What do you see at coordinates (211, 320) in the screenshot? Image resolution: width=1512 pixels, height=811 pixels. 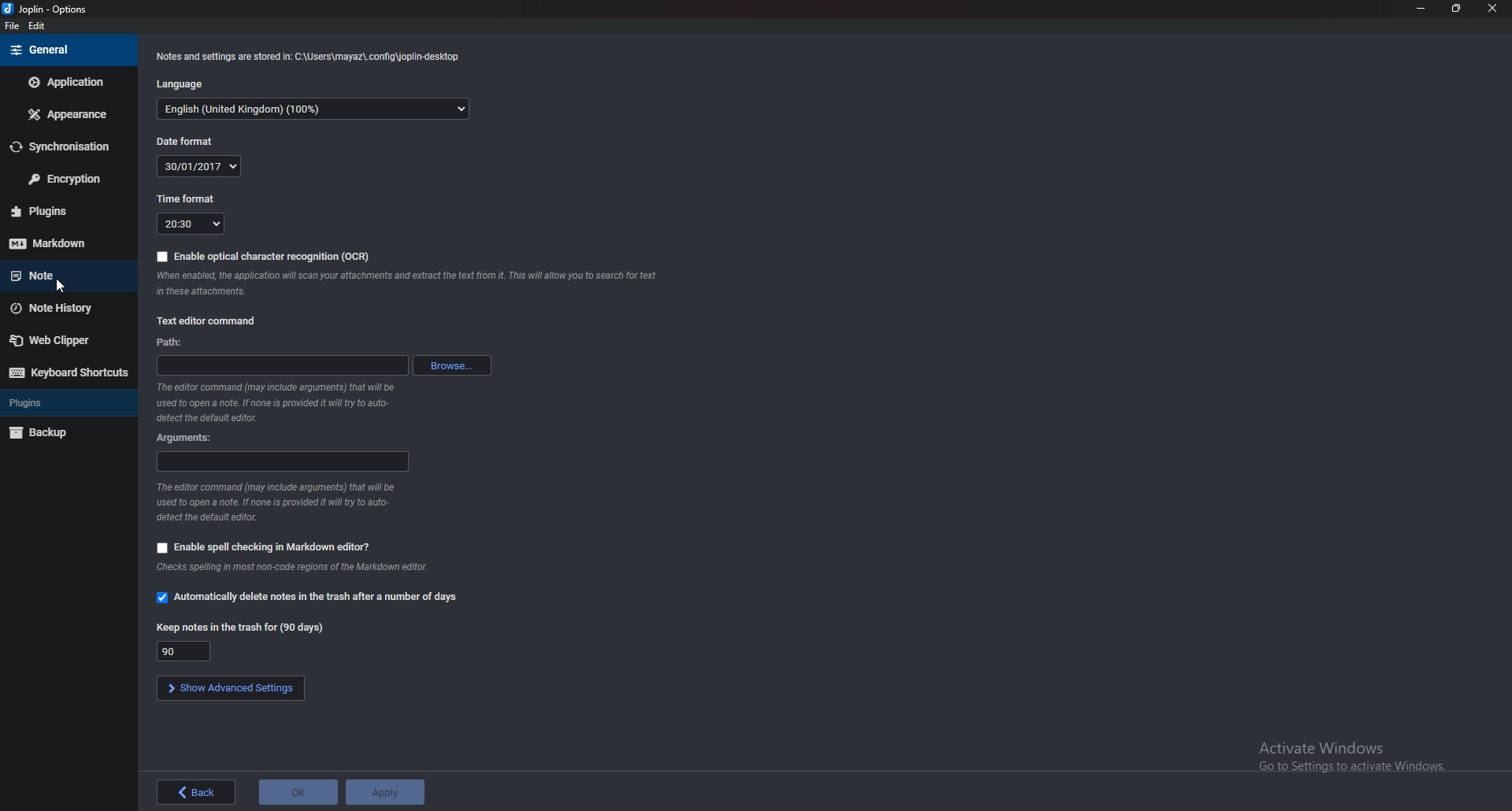 I see `Text editor command` at bounding box center [211, 320].